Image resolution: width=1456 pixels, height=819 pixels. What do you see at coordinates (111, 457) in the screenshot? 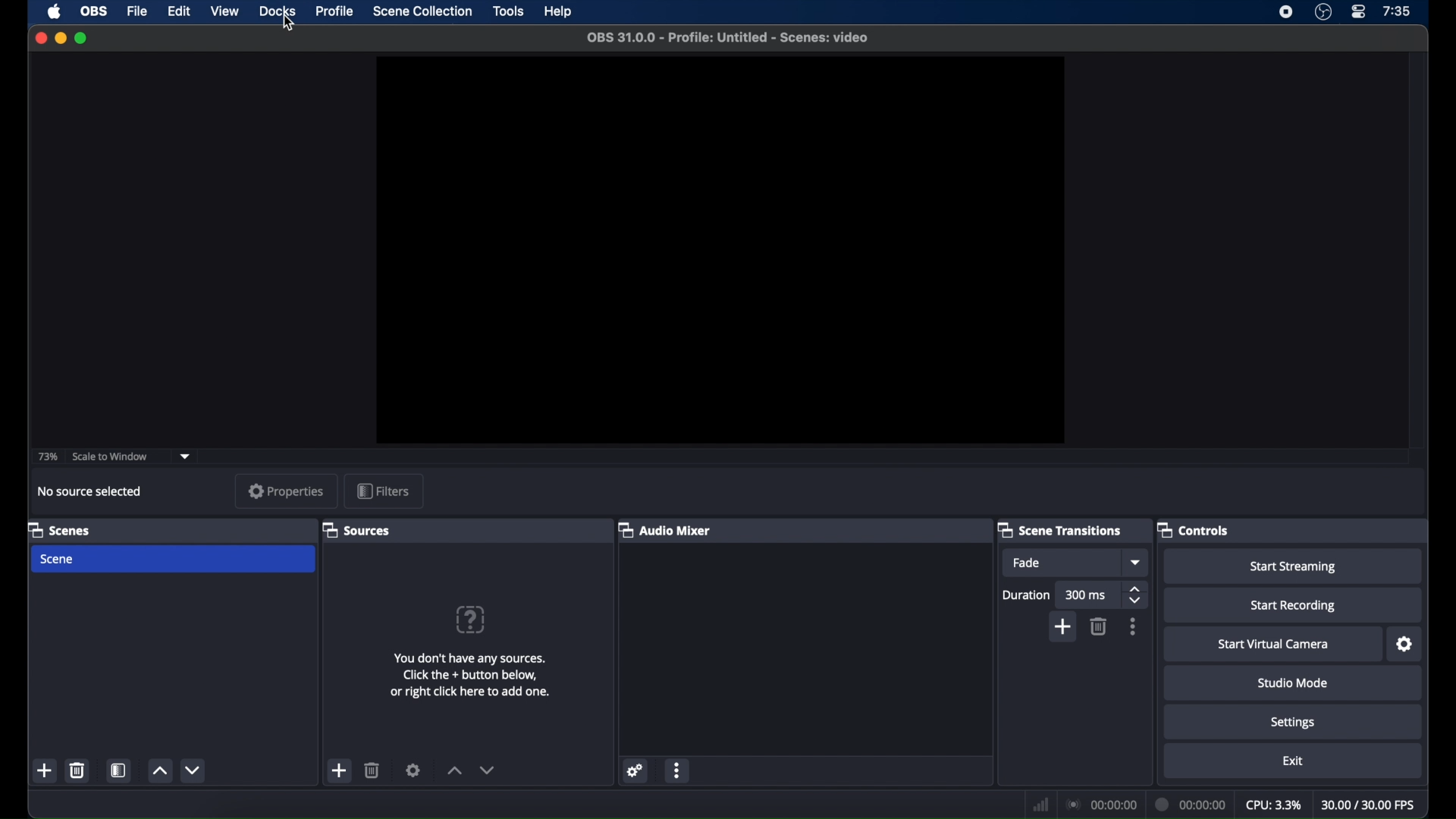
I see `scale to window` at bounding box center [111, 457].